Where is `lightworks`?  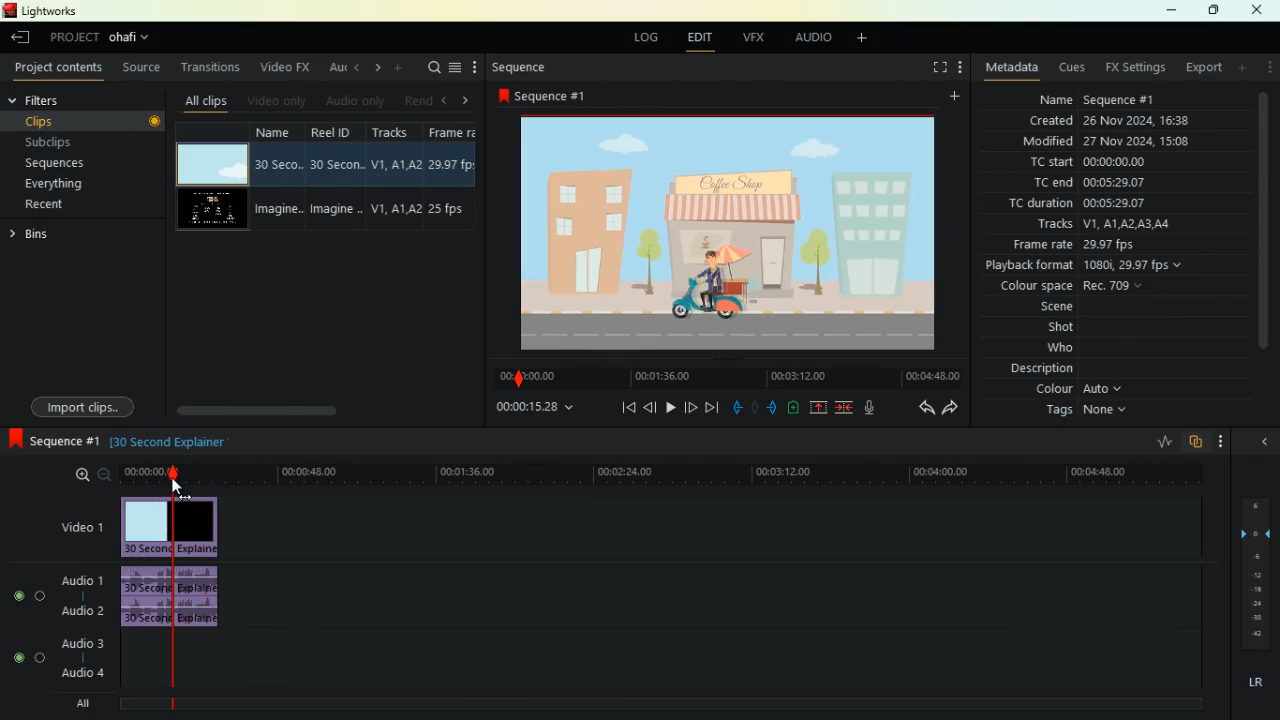 lightworks is located at coordinates (43, 11).